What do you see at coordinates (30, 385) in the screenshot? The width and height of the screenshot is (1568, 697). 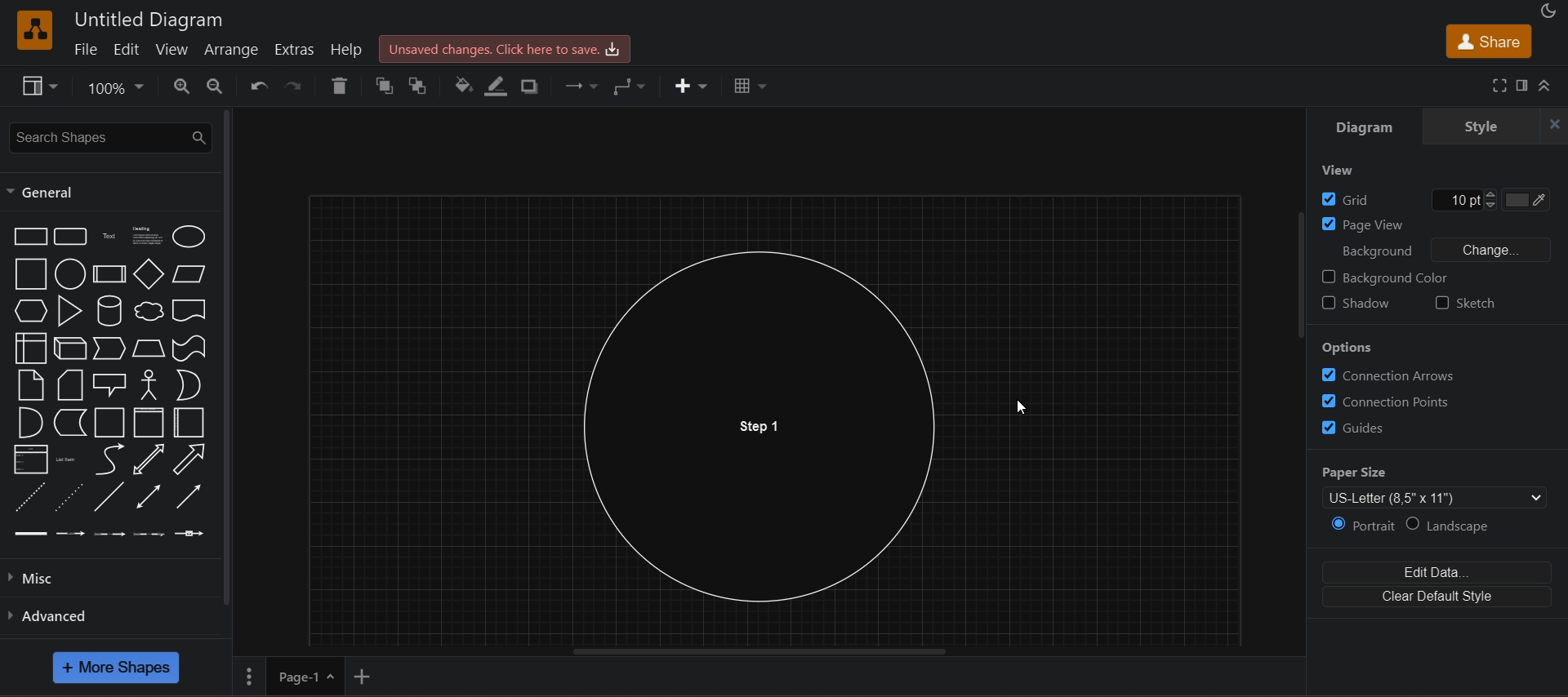 I see `note` at bounding box center [30, 385].